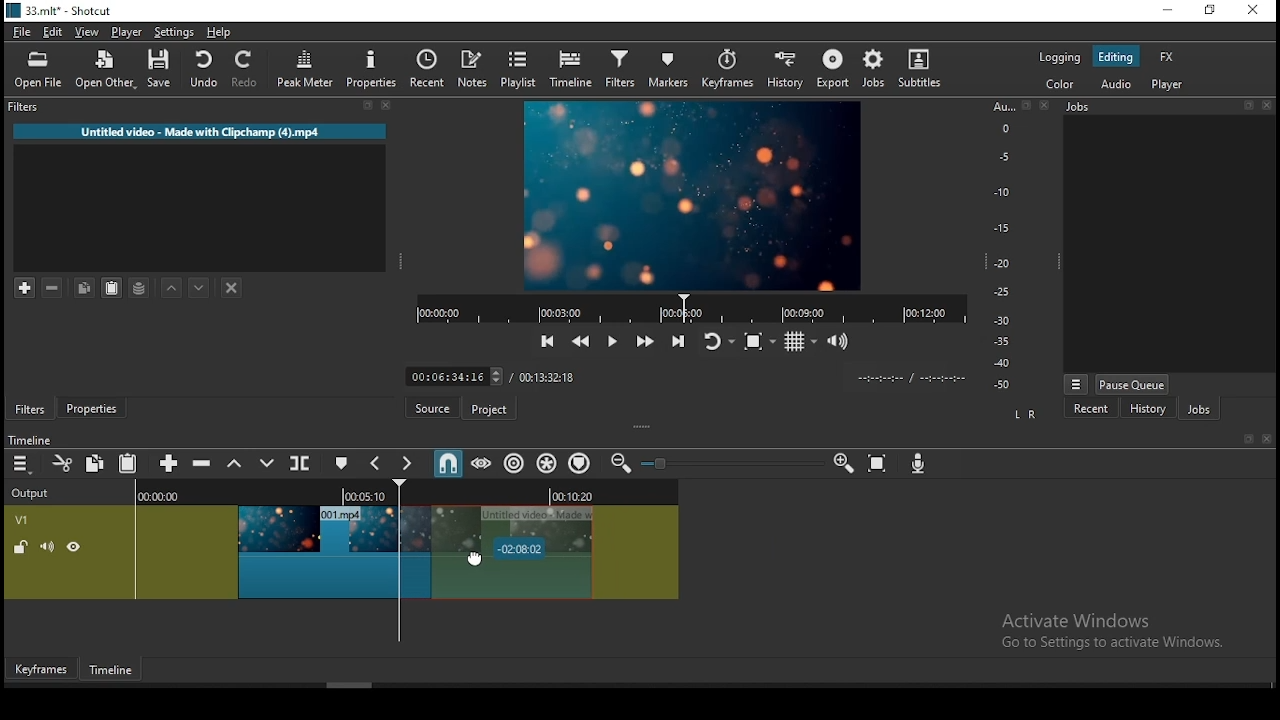  I want to click on create/edit marker, so click(344, 464).